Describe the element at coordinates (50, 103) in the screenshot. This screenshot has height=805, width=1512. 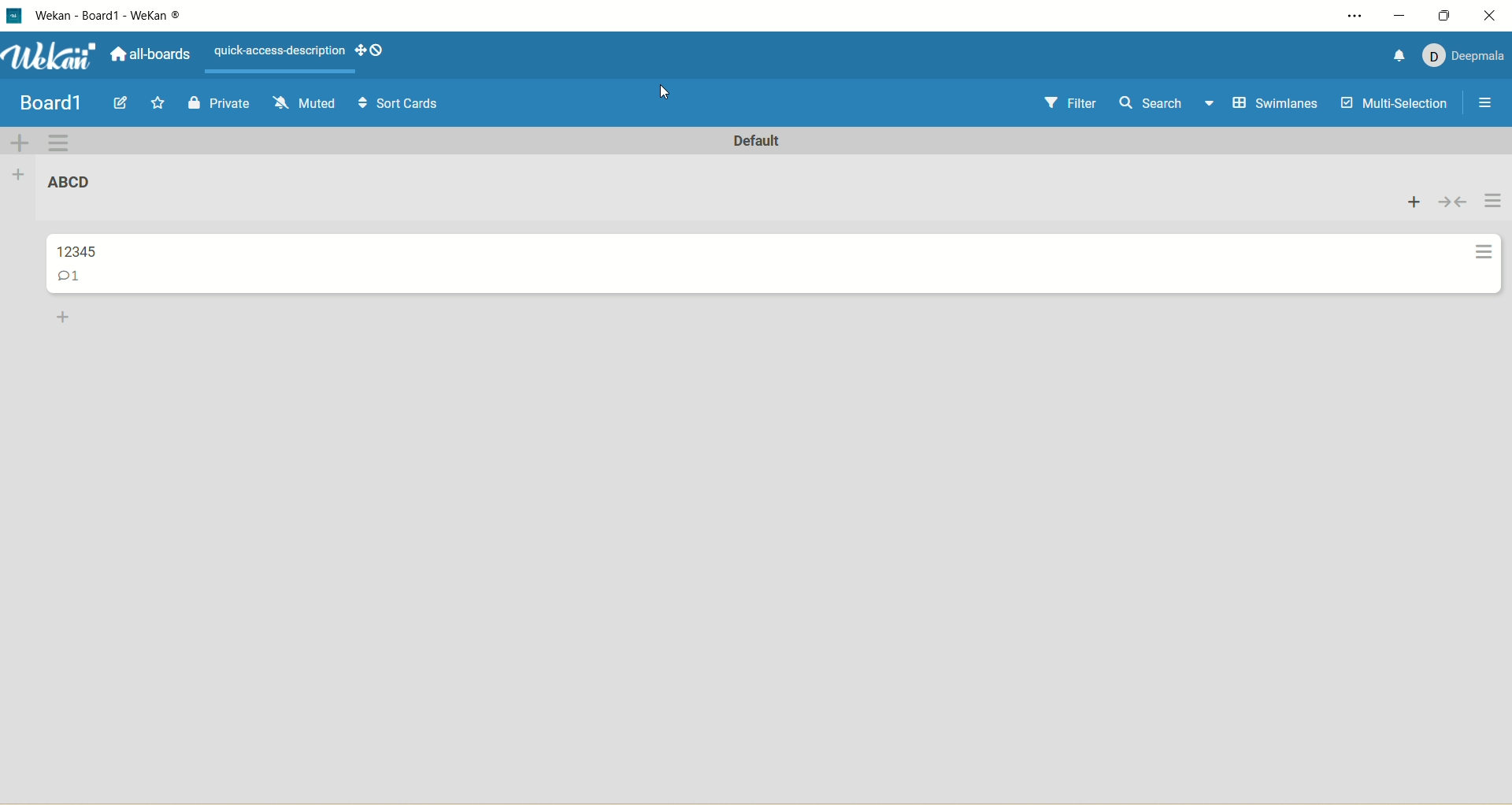
I see `title` at that location.